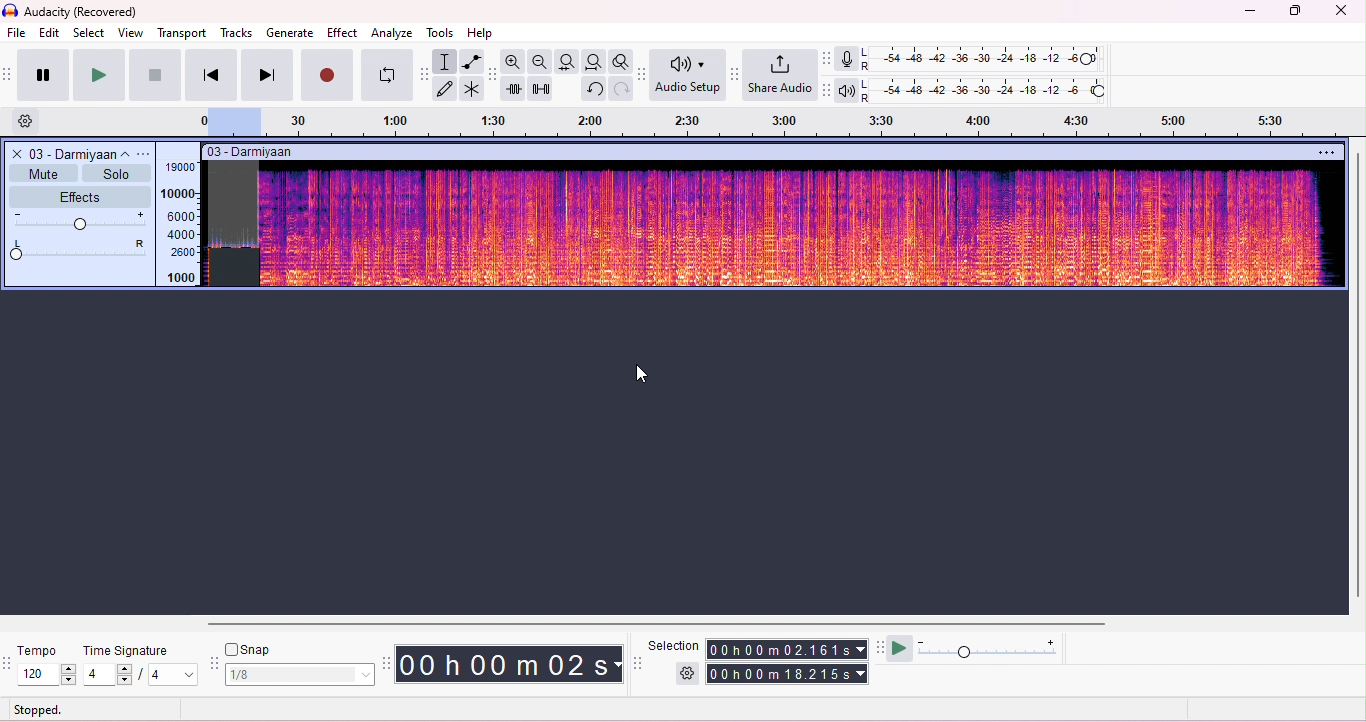 This screenshot has width=1366, height=722. Describe the element at coordinates (542, 88) in the screenshot. I see `silence selection` at that location.